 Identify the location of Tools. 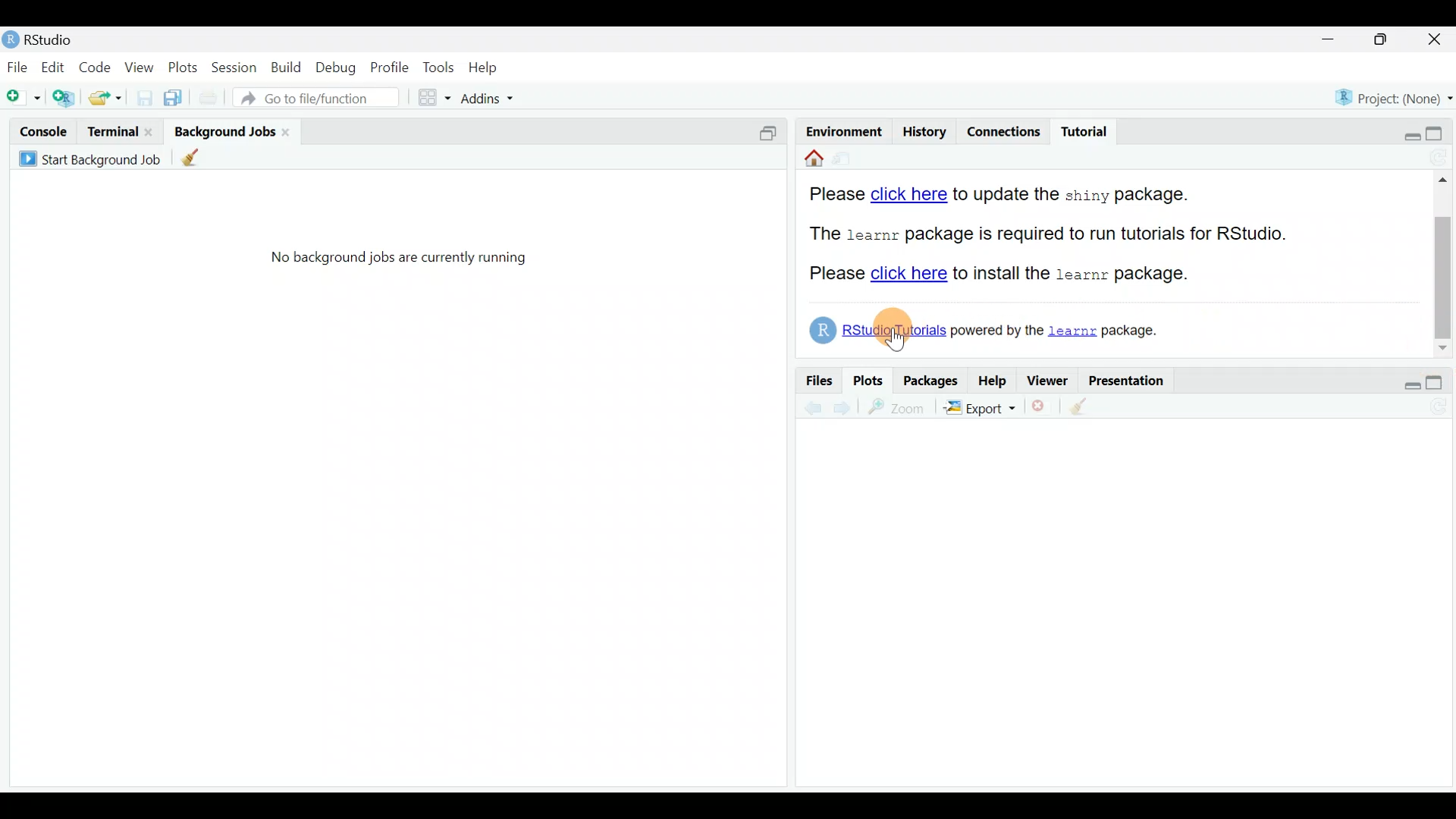
(438, 66).